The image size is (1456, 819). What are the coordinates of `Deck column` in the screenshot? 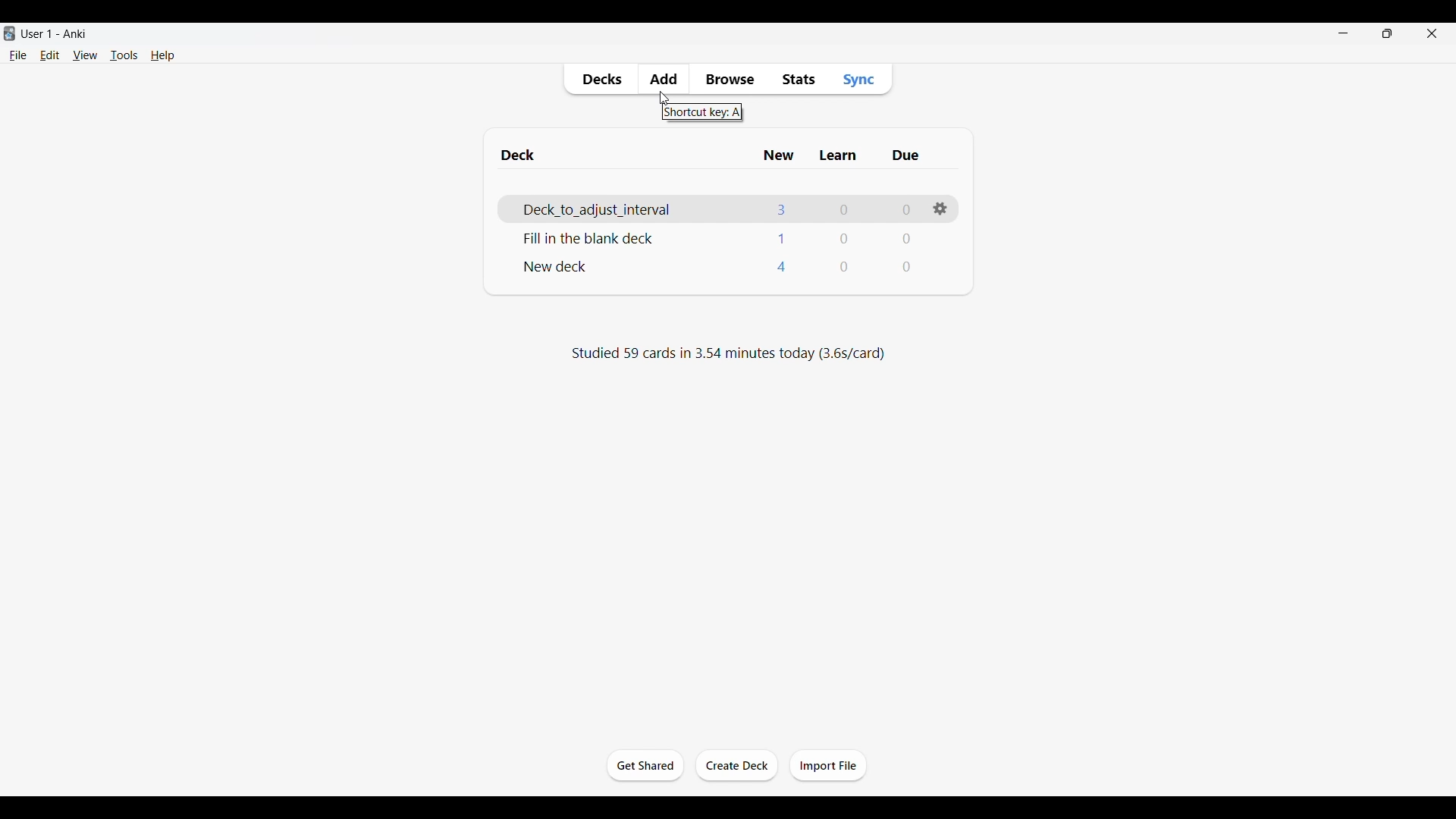 It's located at (623, 155).